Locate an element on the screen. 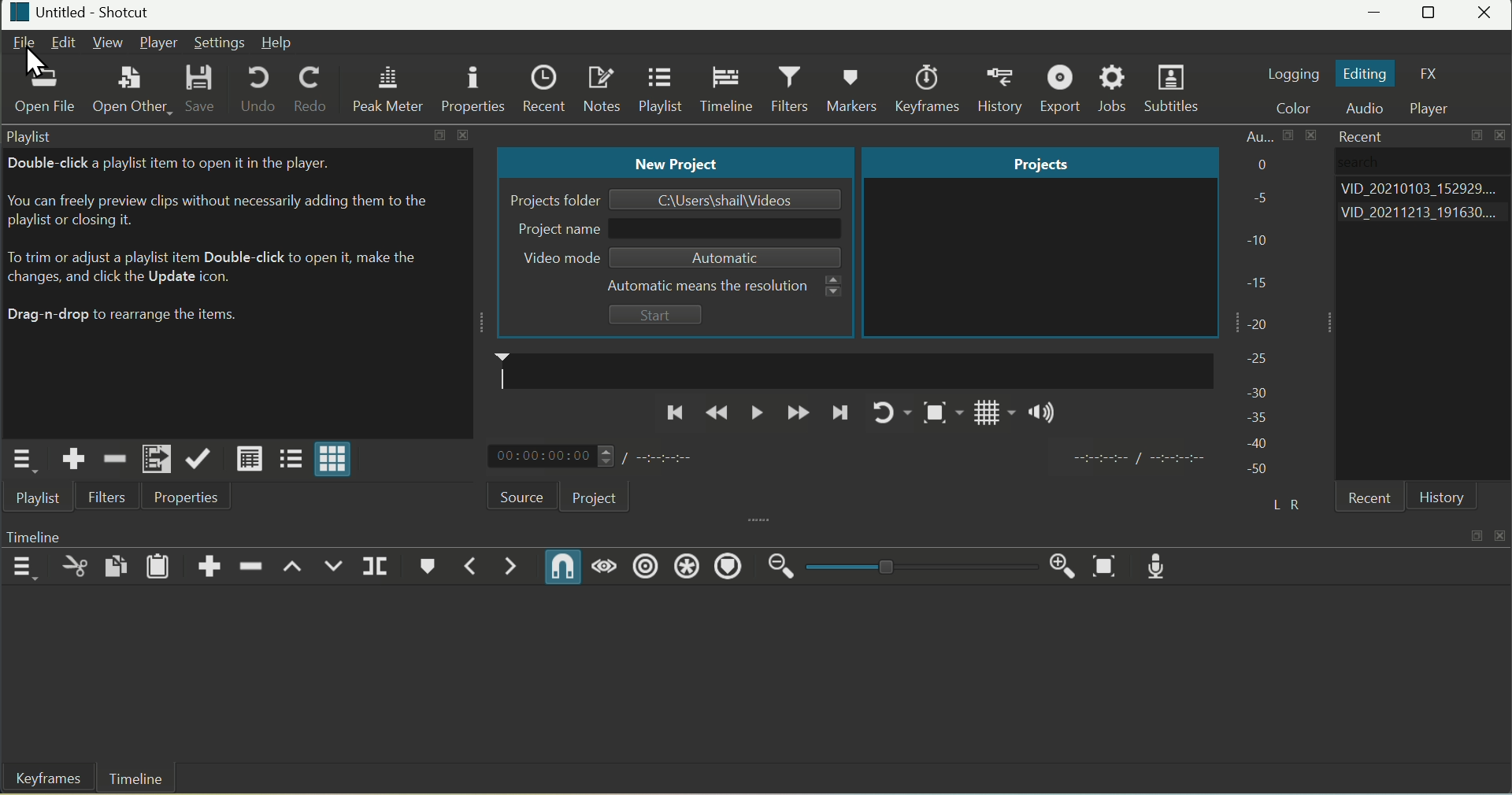  Remove cut is located at coordinates (113, 457).